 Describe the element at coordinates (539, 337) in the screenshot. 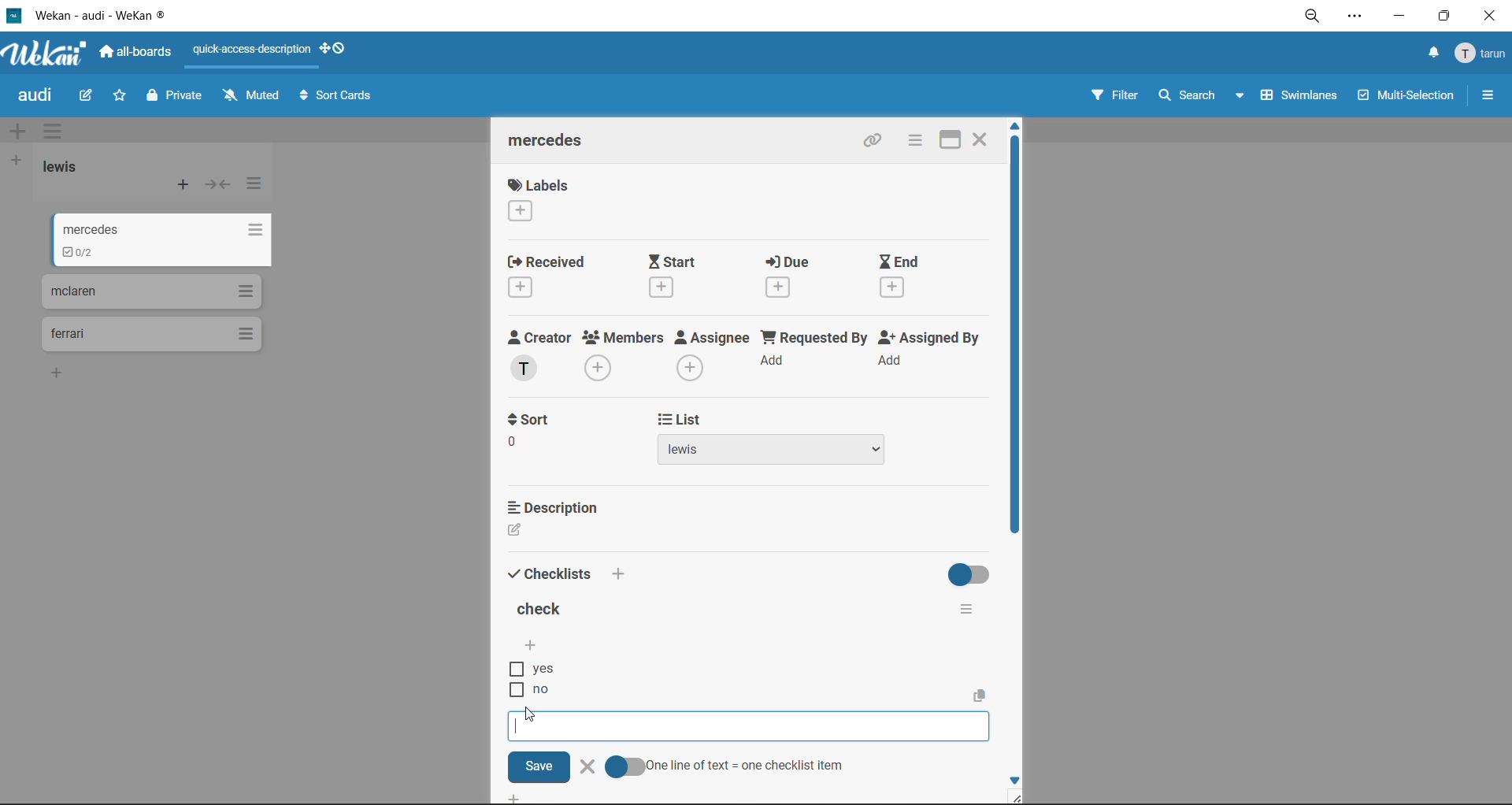

I see `creator` at that location.